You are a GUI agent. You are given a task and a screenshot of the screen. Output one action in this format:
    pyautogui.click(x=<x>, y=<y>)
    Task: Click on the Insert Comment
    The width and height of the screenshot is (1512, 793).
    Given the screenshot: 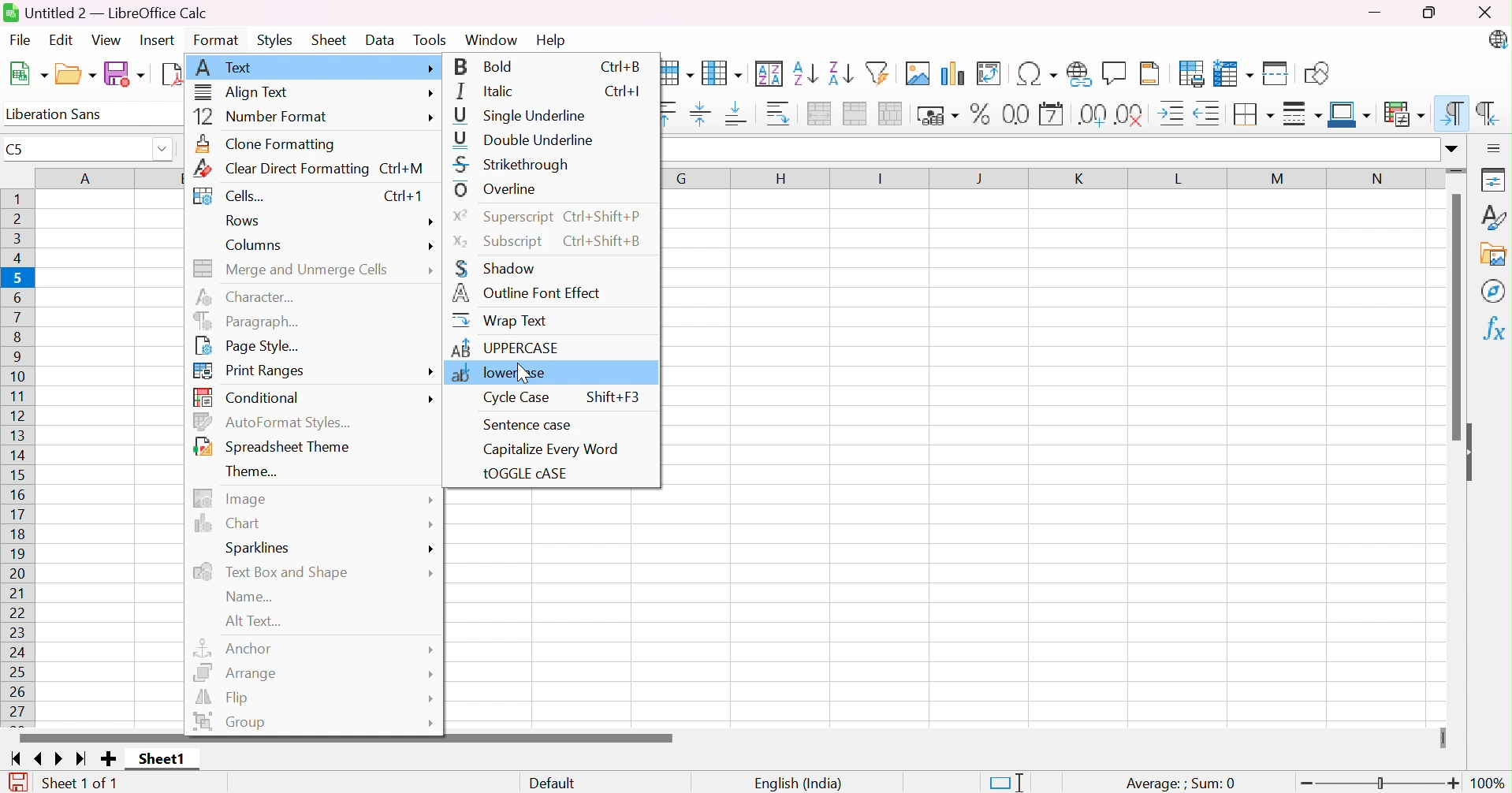 What is the action you would take?
    pyautogui.click(x=1114, y=73)
    